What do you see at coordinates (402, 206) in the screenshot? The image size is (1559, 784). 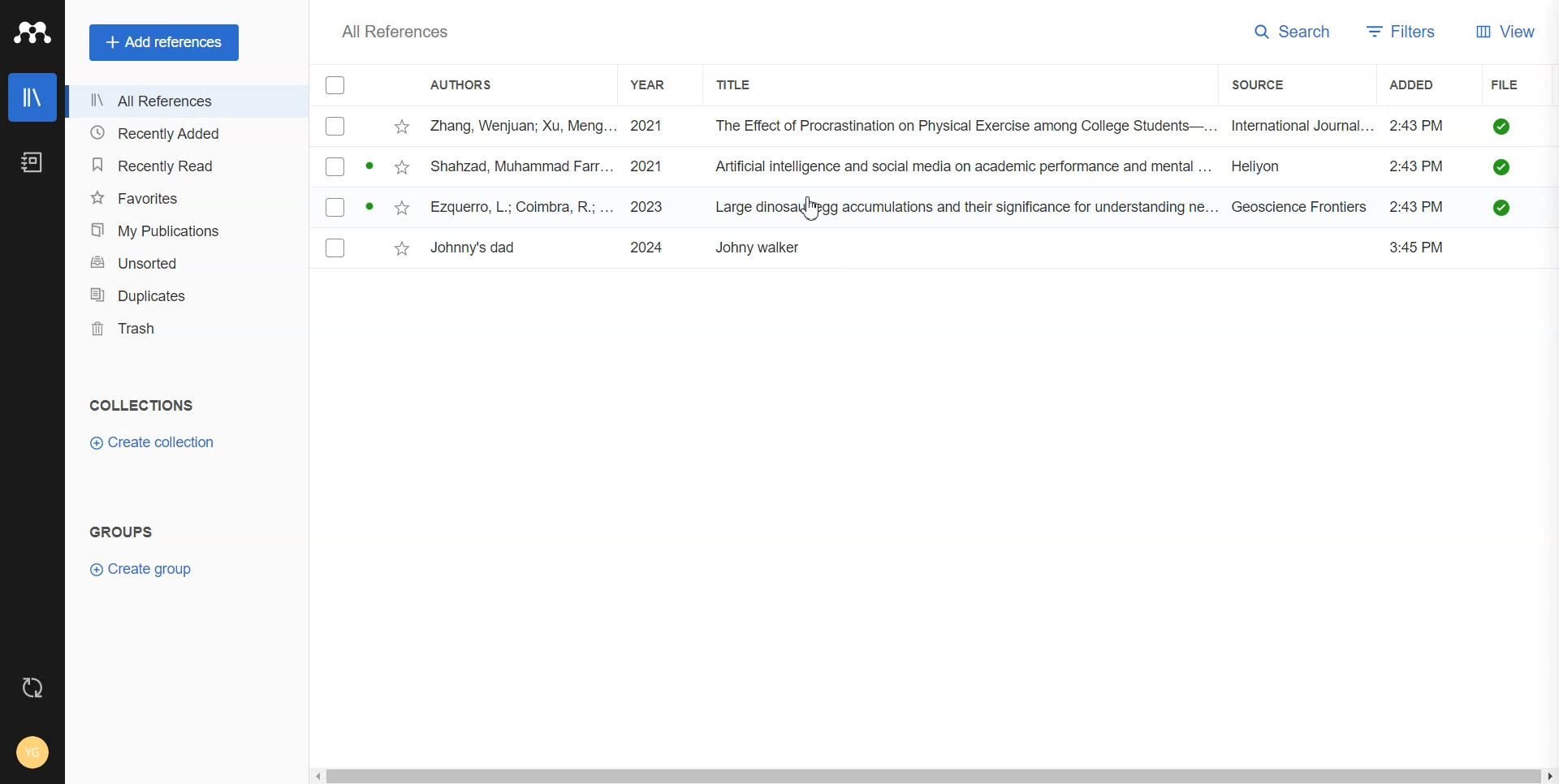 I see `Toggle favorites` at bounding box center [402, 206].